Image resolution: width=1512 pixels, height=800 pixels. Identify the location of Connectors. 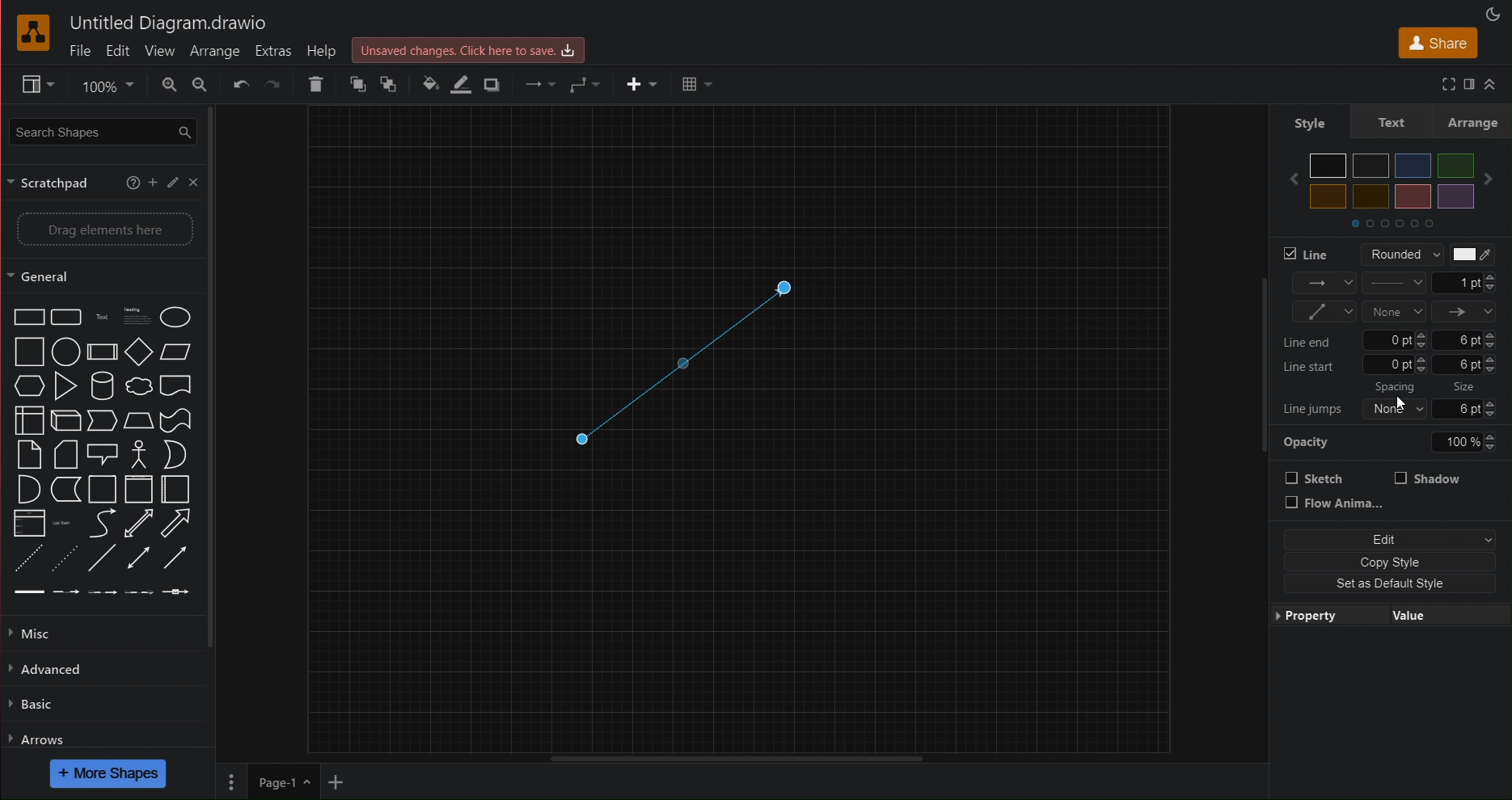
(1324, 312).